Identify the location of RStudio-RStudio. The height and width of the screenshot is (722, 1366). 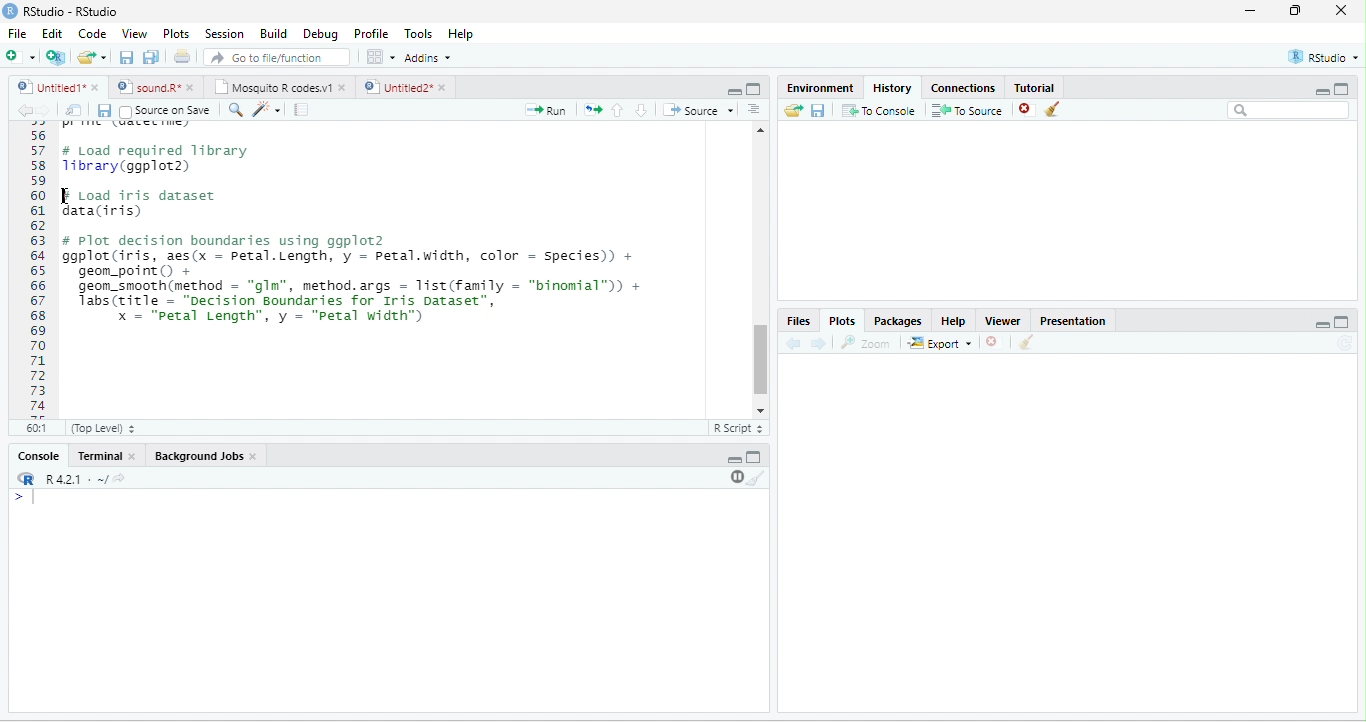
(72, 11).